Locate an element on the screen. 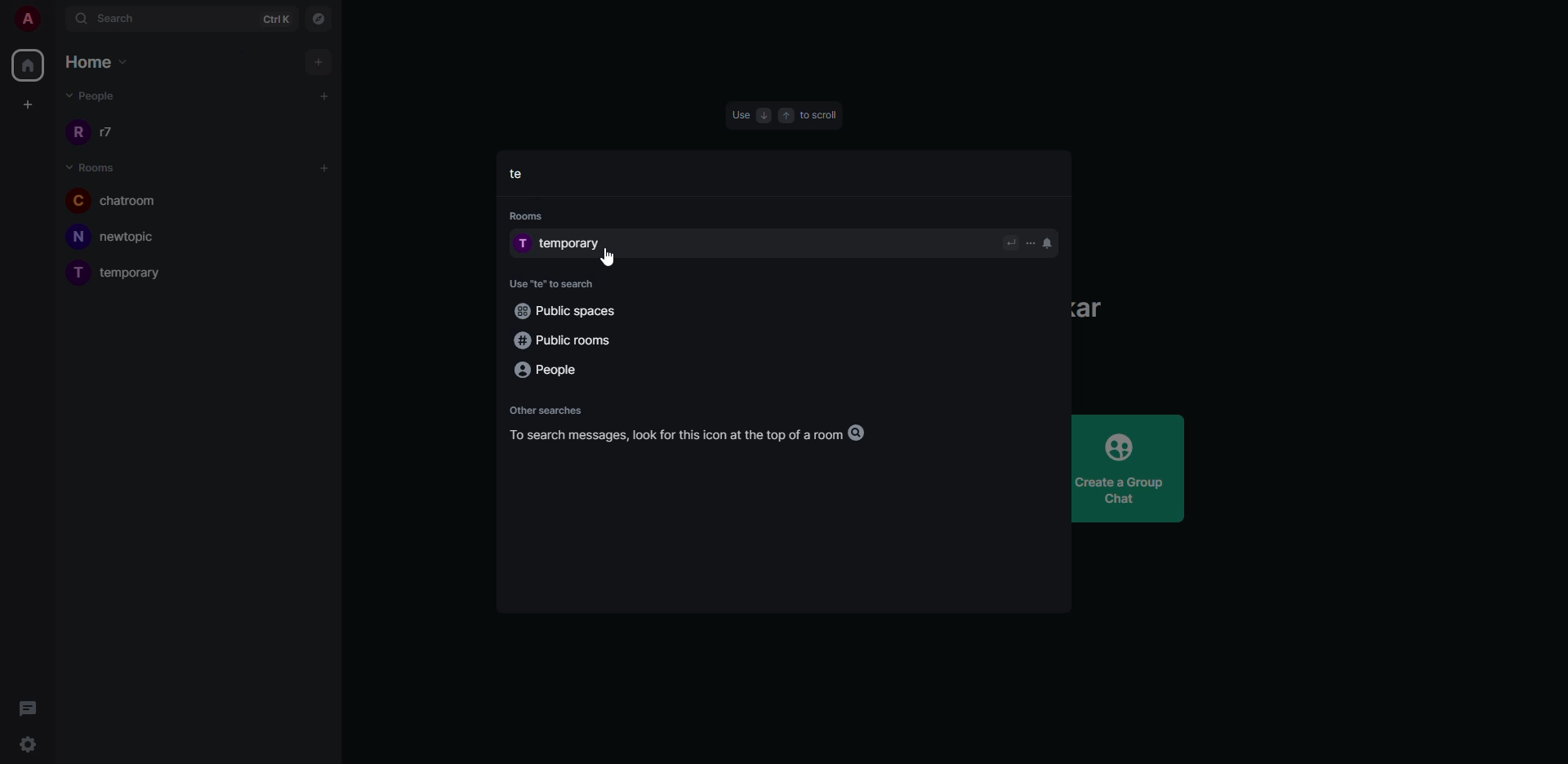 The image size is (1568, 764). People is located at coordinates (548, 371).